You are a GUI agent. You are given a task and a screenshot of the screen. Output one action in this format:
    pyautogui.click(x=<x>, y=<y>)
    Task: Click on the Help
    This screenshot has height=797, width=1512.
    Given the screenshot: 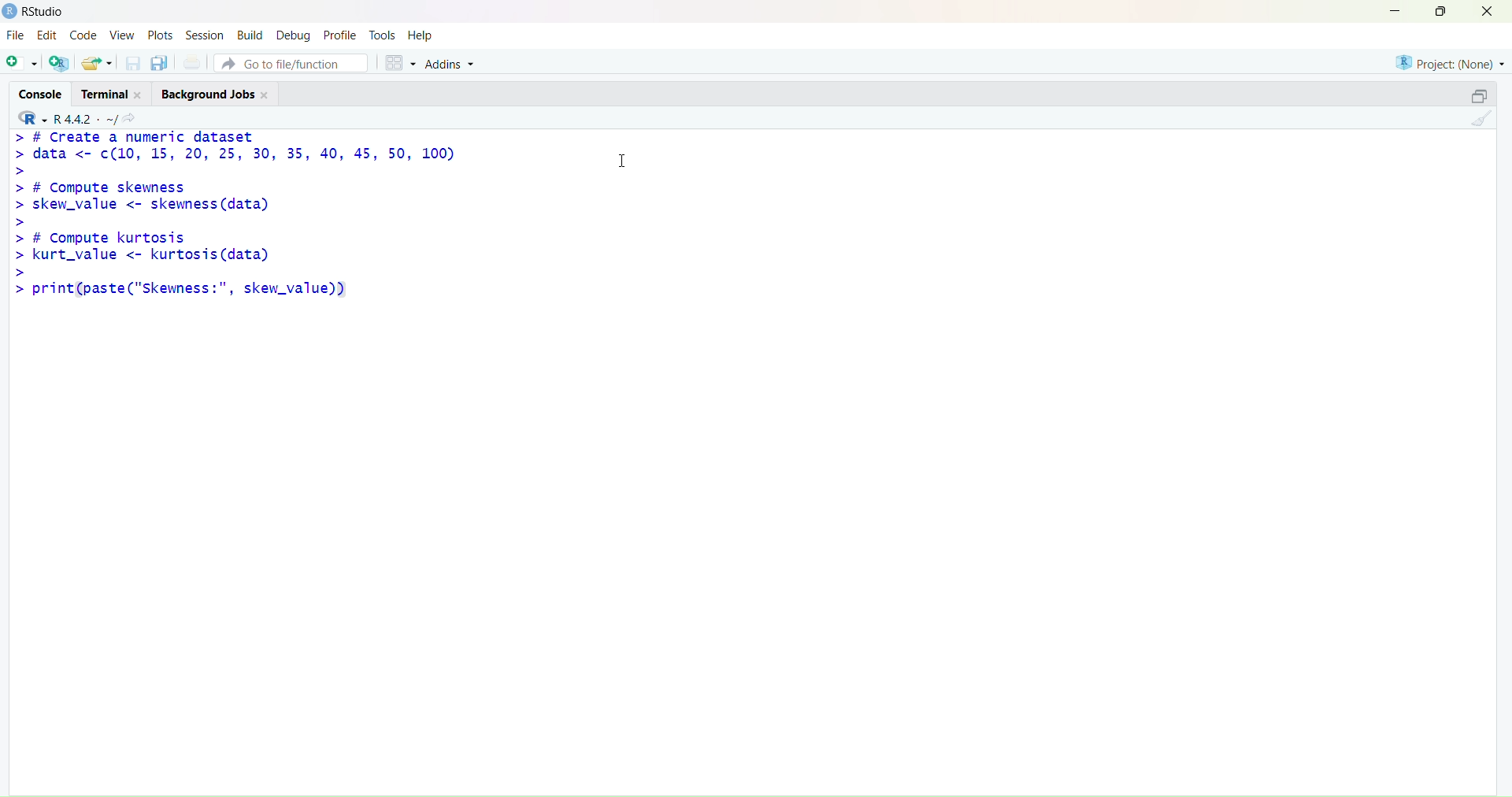 What is the action you would take?
    pyautogui.click(x=424, y=34)
    